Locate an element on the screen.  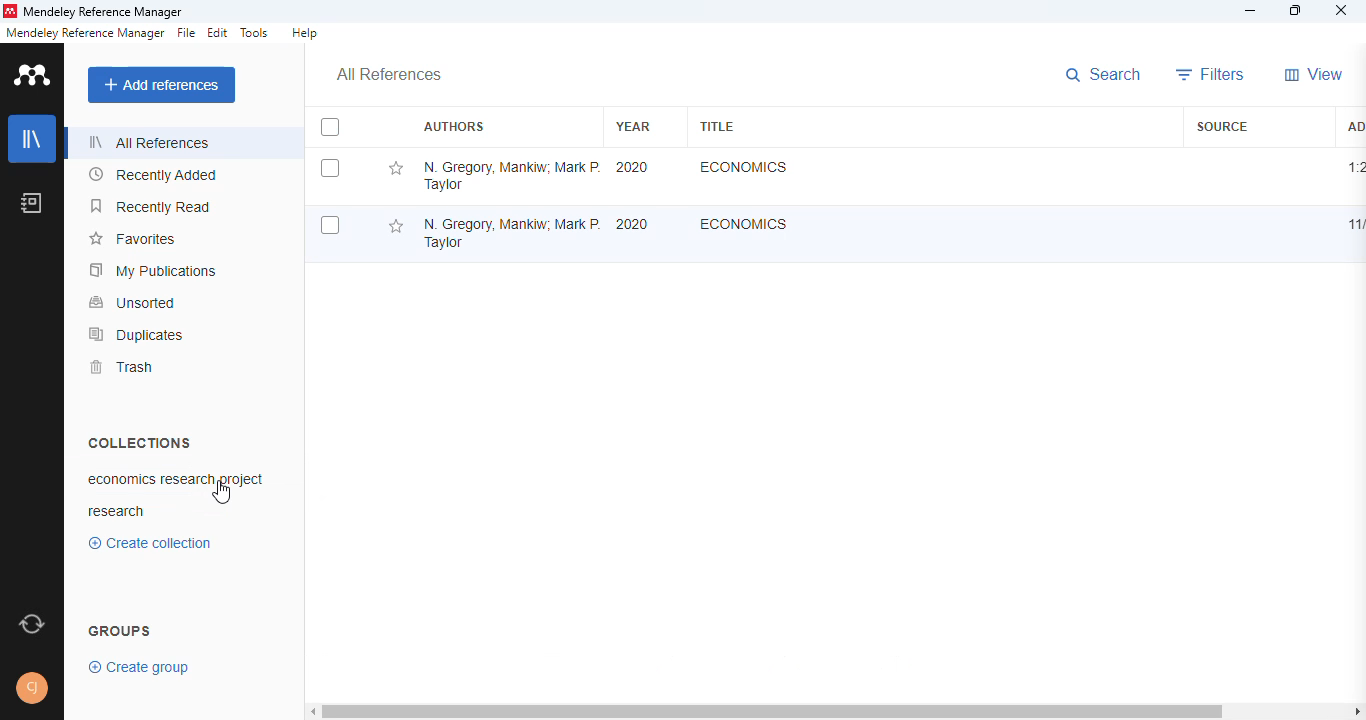
favorites is located at coordinates (131, 239).